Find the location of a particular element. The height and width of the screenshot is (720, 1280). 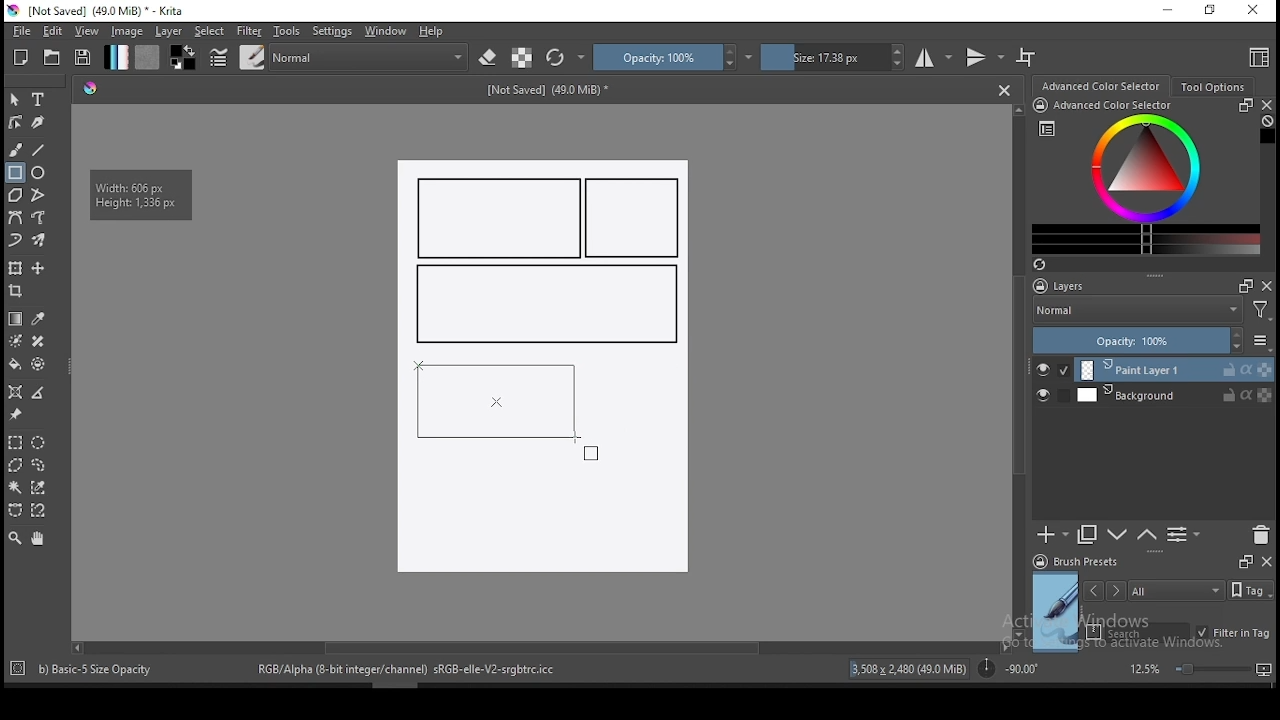

icon and file name is located at coordinates (99, 11).